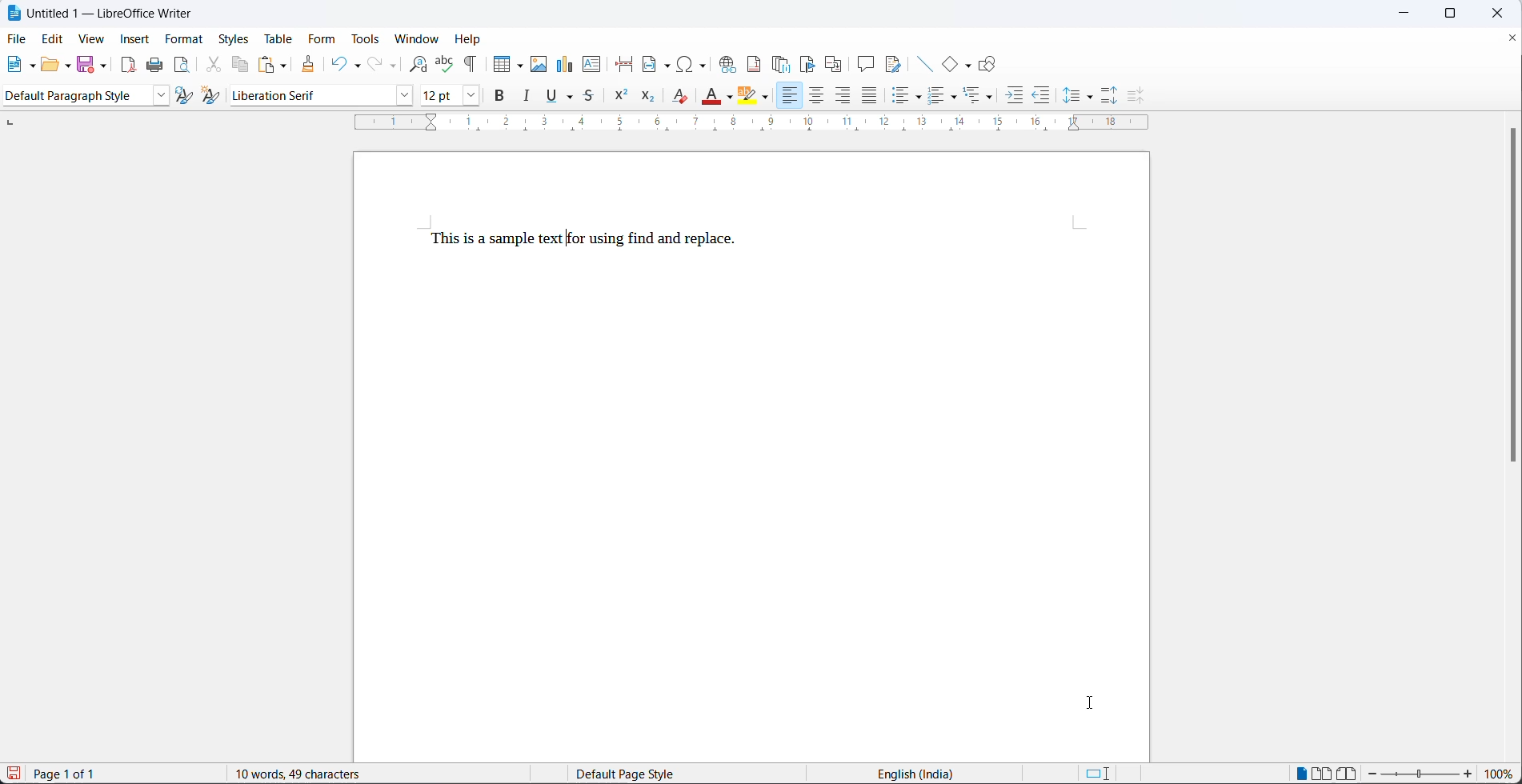 This screenshot has width=1522, height=784. I want to click on Untitled 1 - LibreOffice Writer, so click(102, 11).